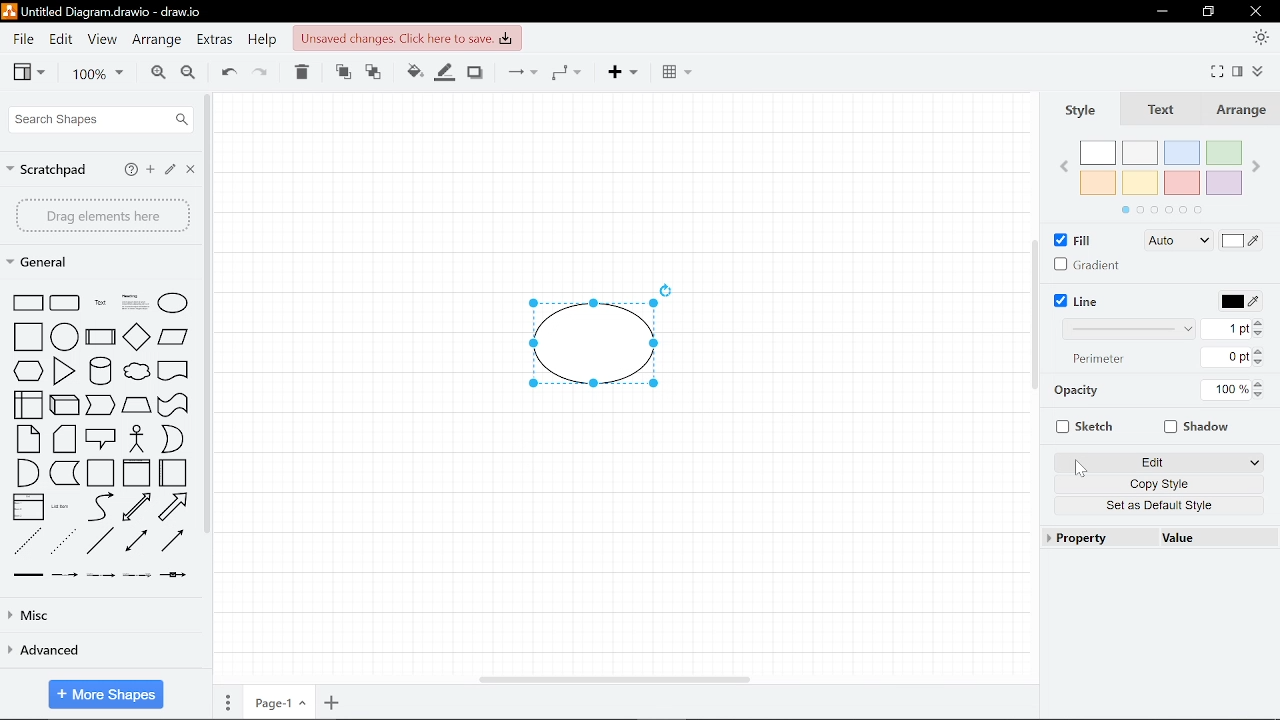  I want to click on connector with label, so click(65, 575).